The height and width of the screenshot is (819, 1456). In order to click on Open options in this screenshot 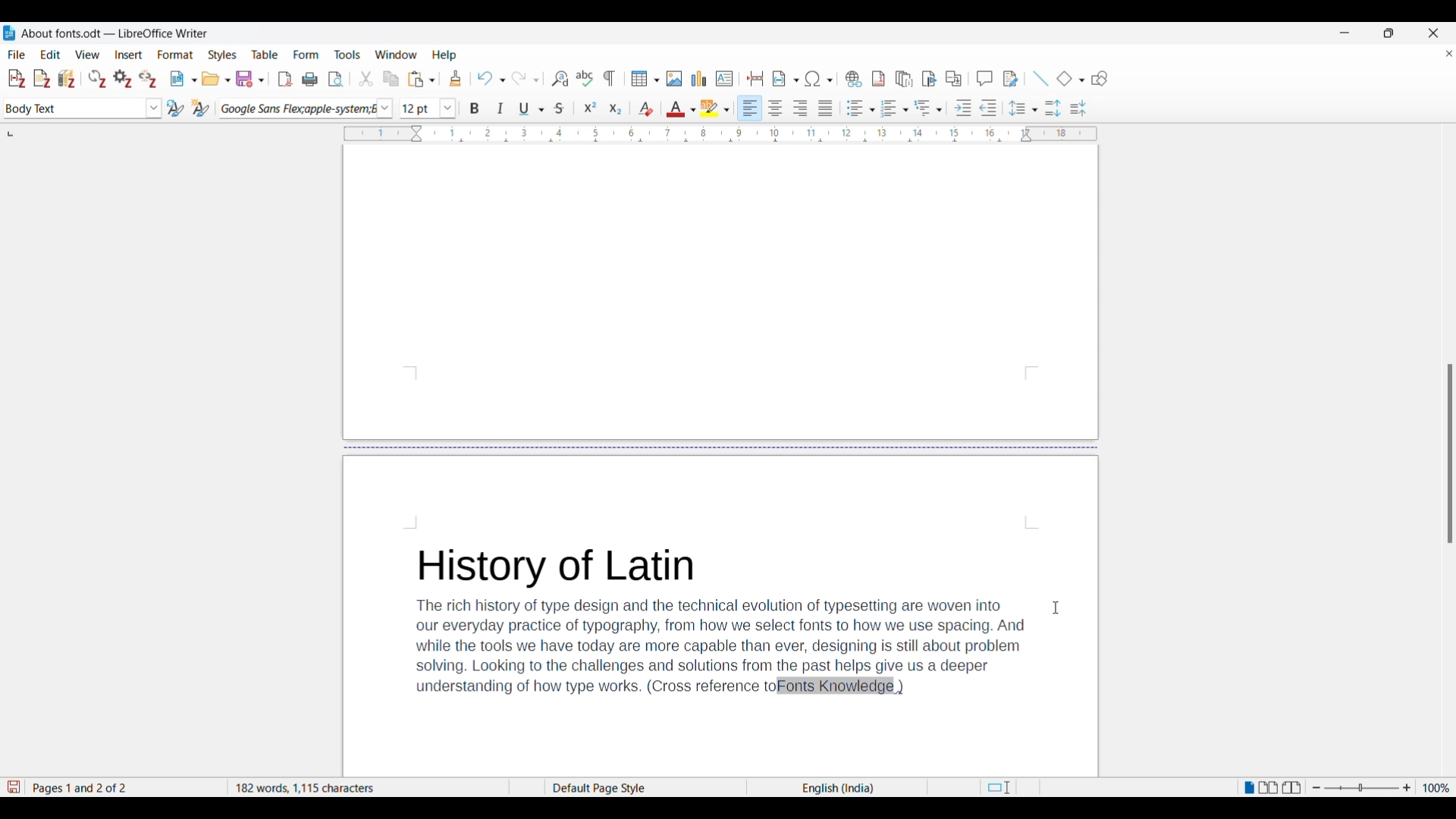, I will do `click(216, 79)`.